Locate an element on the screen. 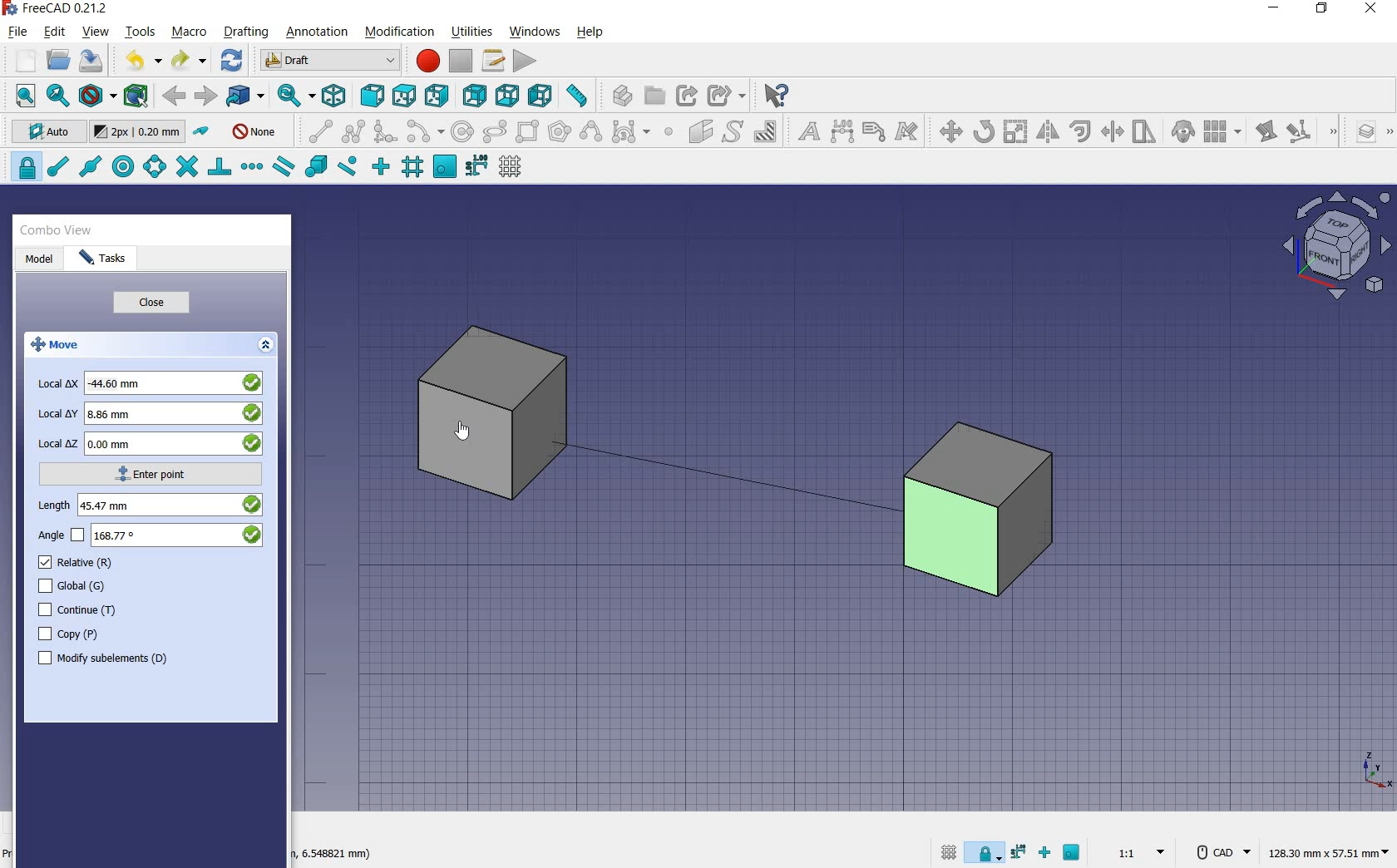 This screenshot has width=1397, height=868. snap ortho is located at coordinates (379, 165).